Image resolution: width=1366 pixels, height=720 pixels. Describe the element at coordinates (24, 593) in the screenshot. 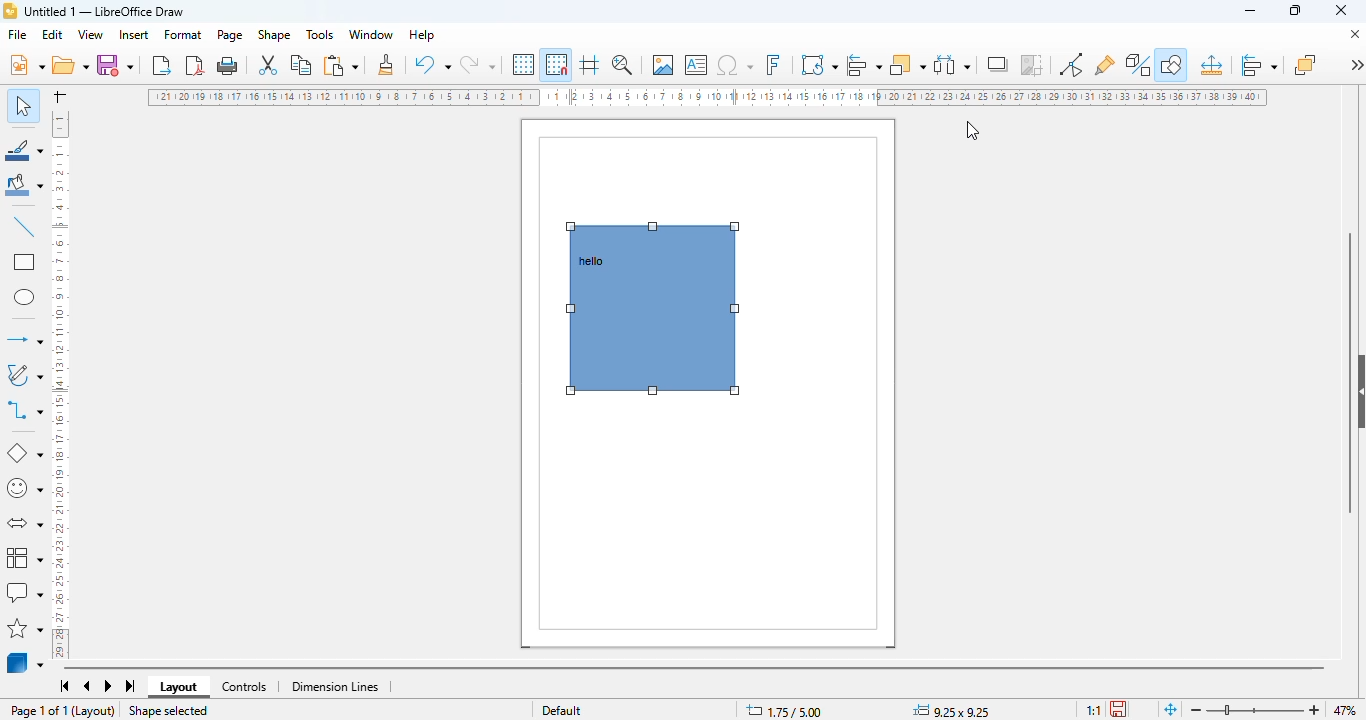

I see `callout shapes` at that location.